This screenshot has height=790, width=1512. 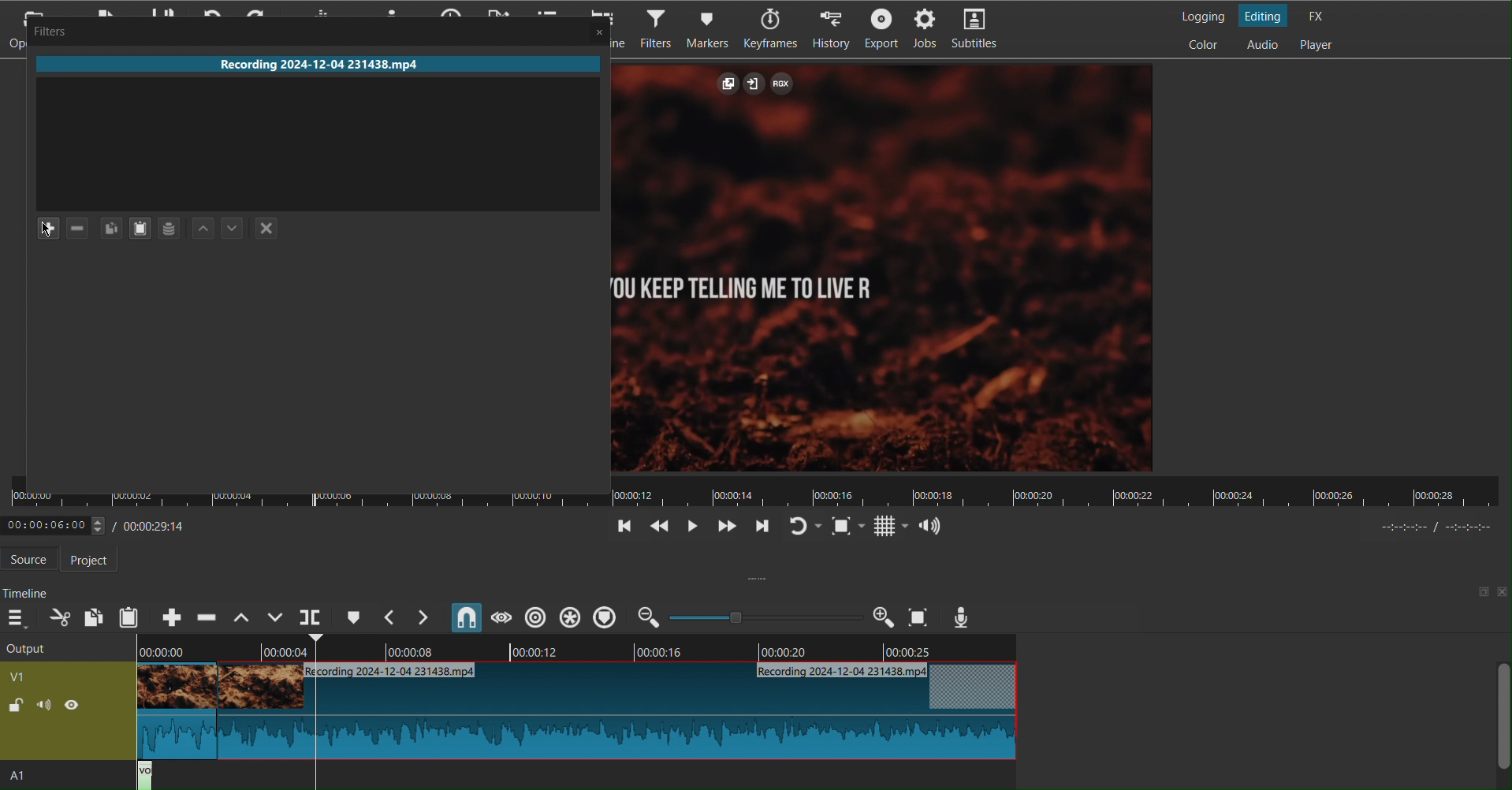 What do you see at coordinates (206, 617) in the screenshot?
I see `Ripple Delete` at bounding box center [206, 617].